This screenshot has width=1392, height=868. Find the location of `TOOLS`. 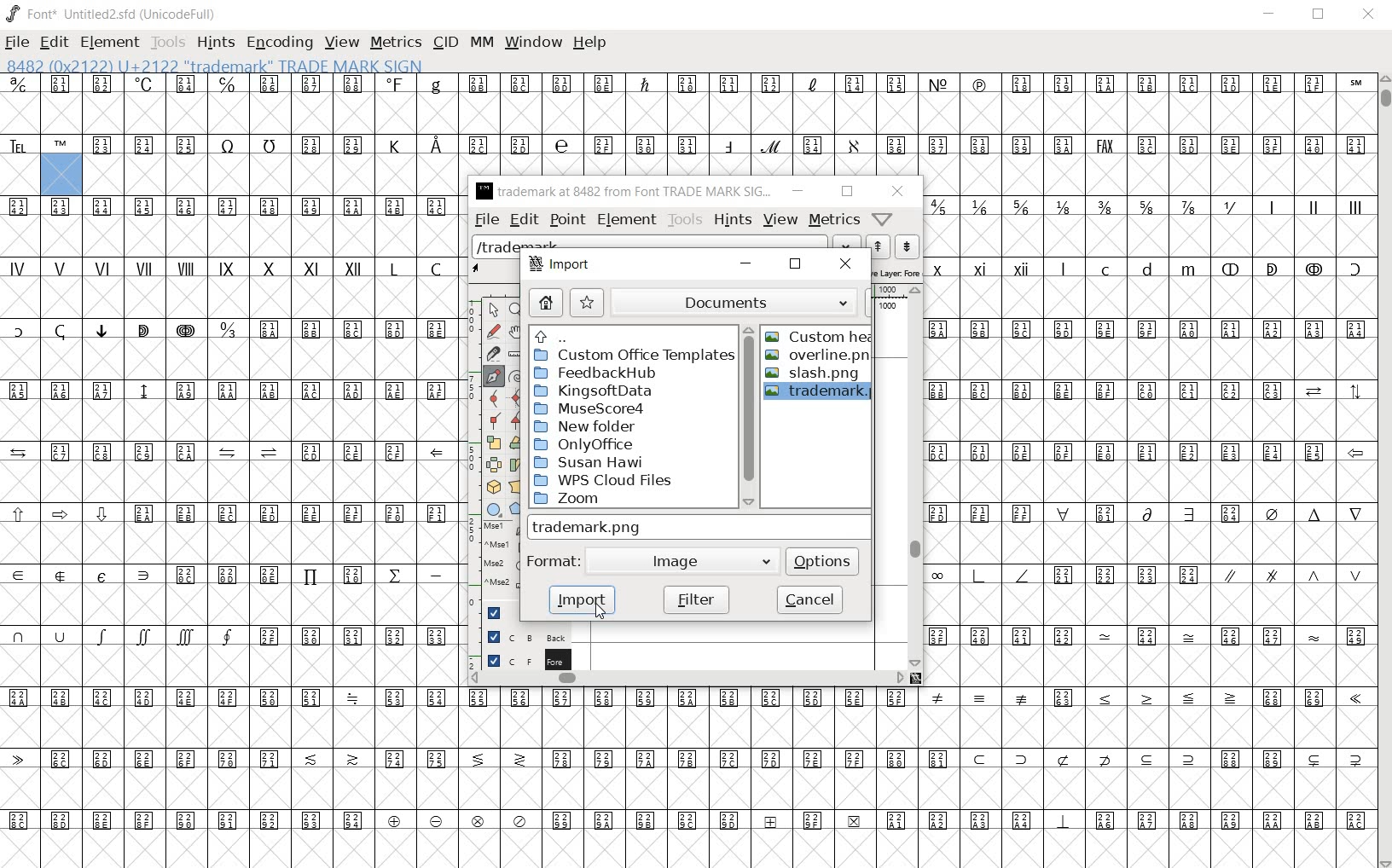

TOOLS is located at coordinates (167, 42).